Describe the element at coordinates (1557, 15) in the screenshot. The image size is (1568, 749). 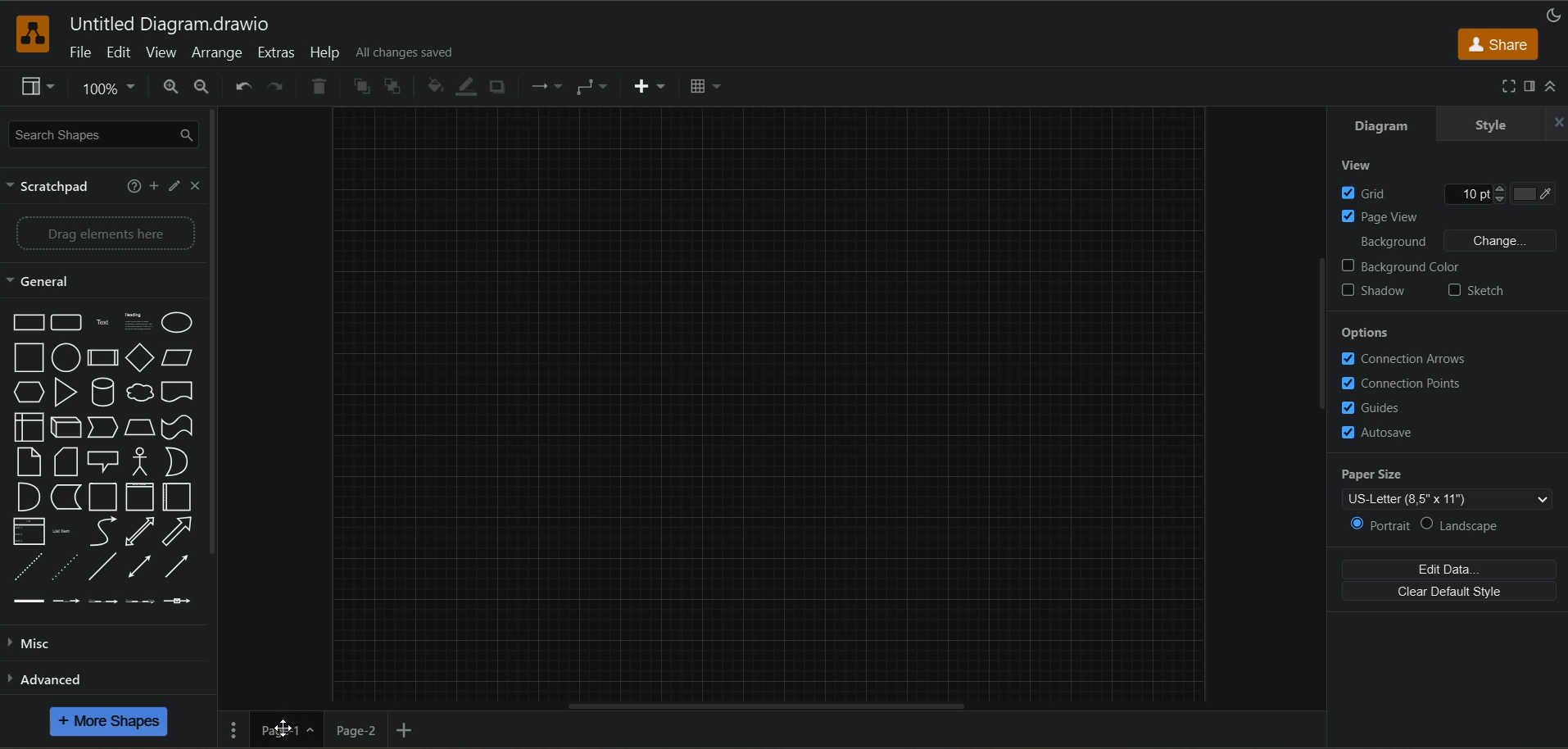
I see `appearance` at that location.